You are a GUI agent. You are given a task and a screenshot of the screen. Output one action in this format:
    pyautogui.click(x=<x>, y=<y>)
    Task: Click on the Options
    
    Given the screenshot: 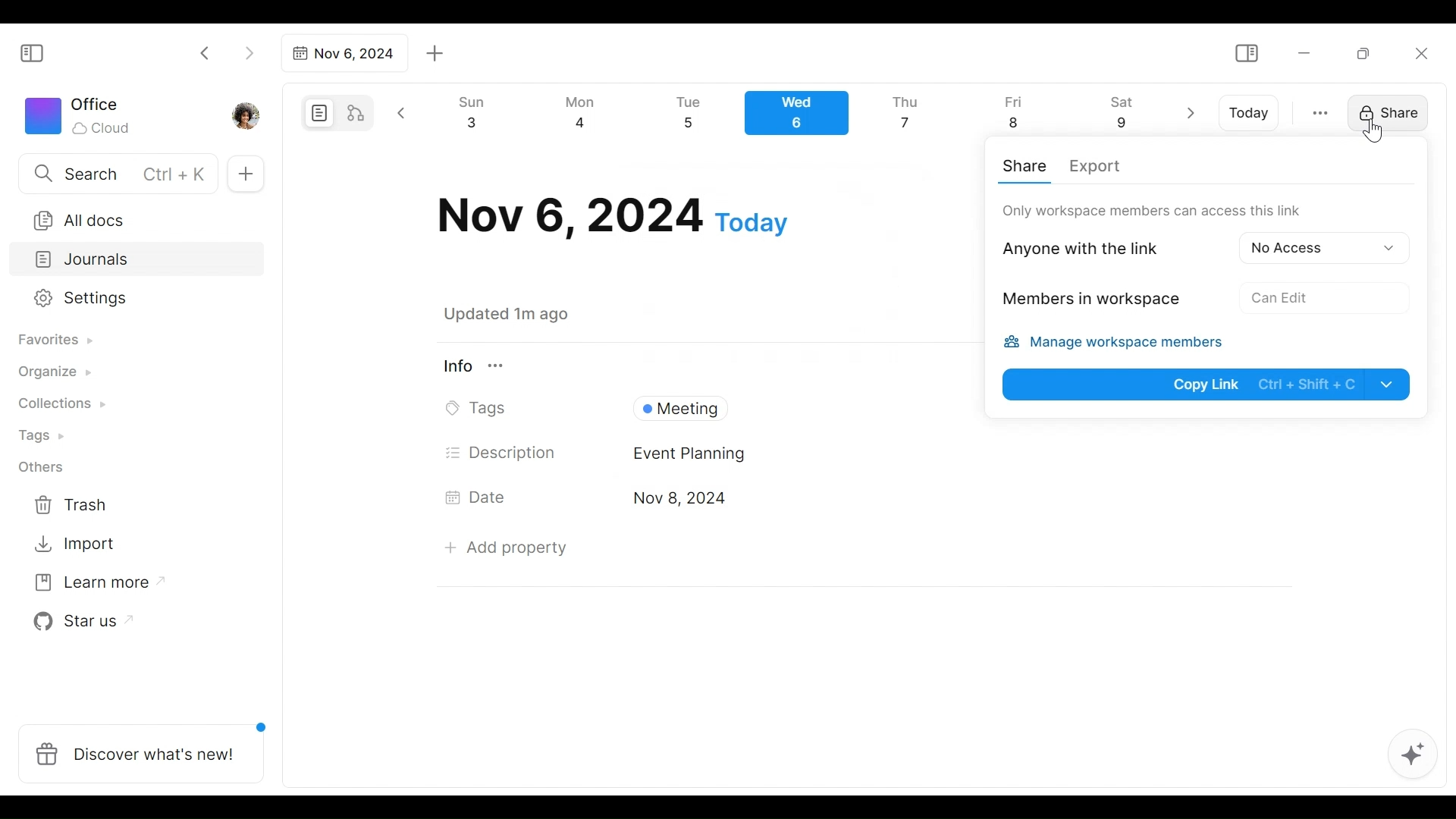 What is the action you would take?
    pyautogui.click(x=1278, y=297)
    